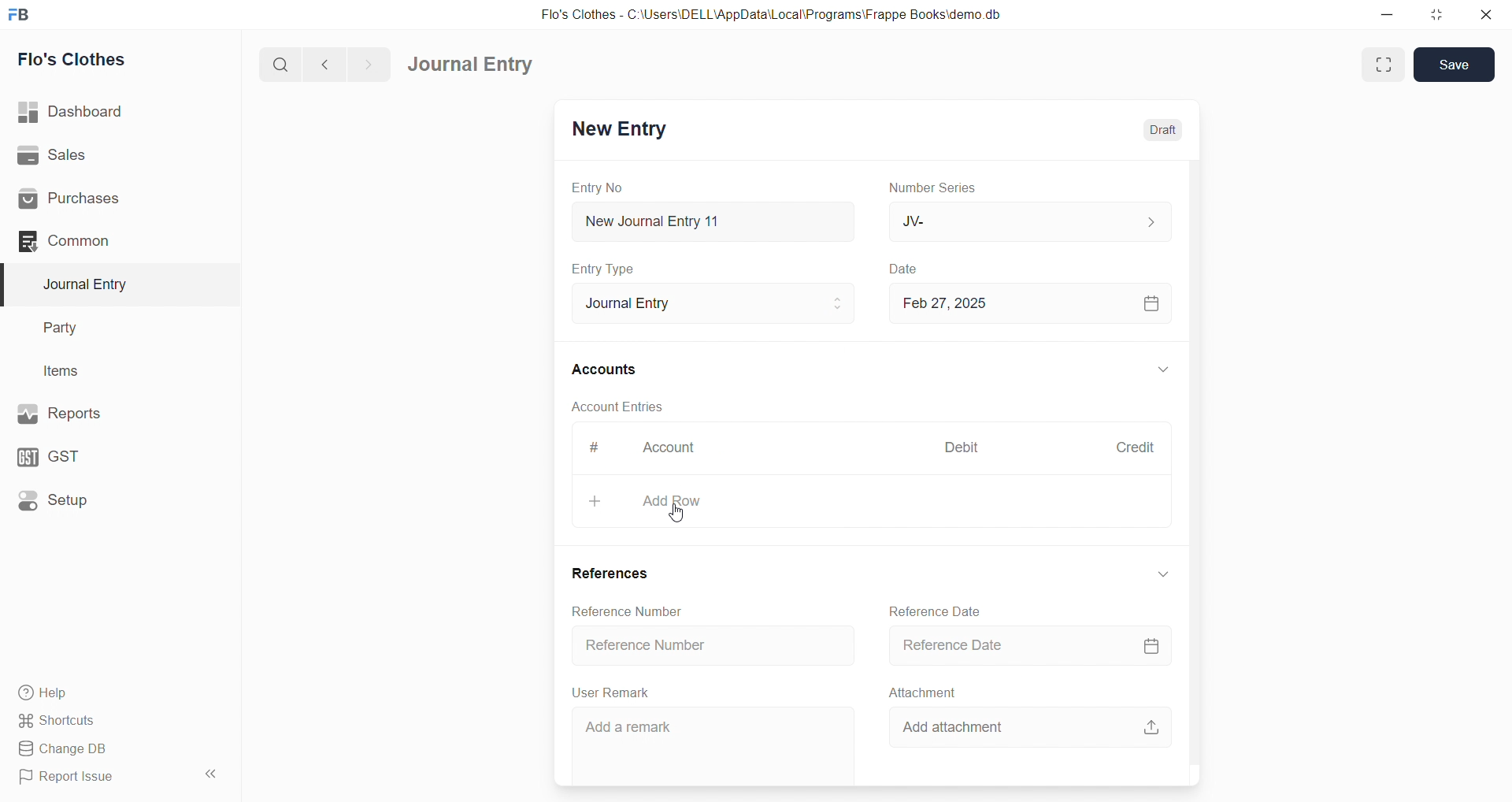  I want to click on | Dashboard, so click(86, 113).